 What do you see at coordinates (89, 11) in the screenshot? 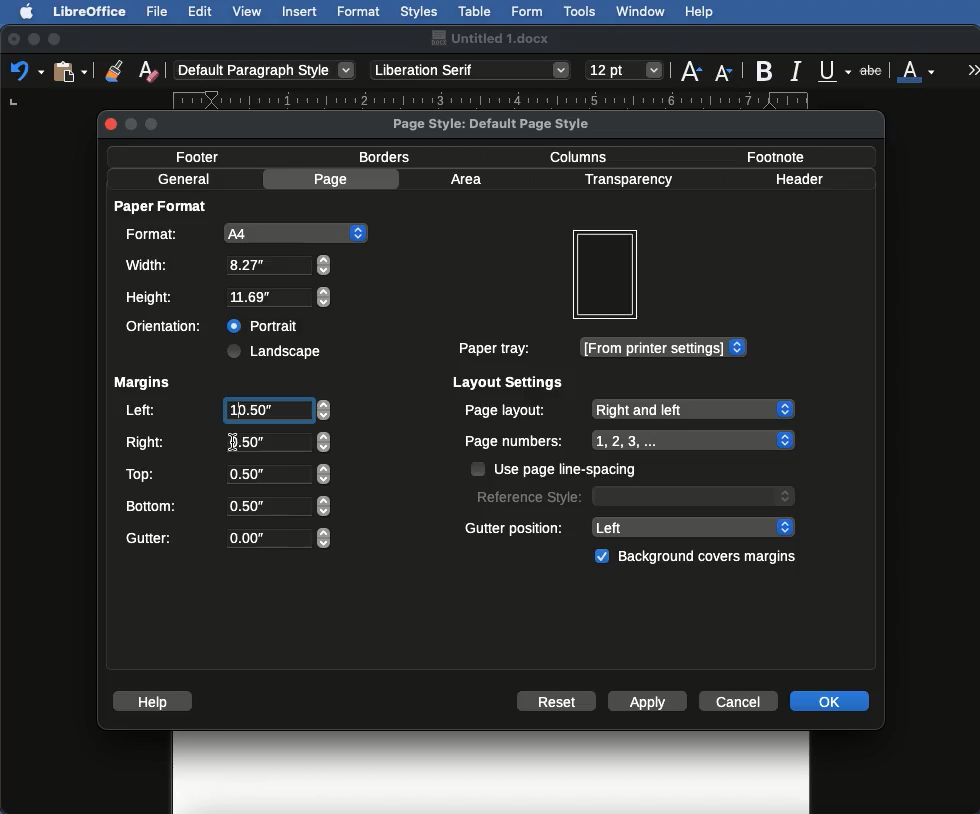
I see `LibreOffice` at bounding box center [89, 11].